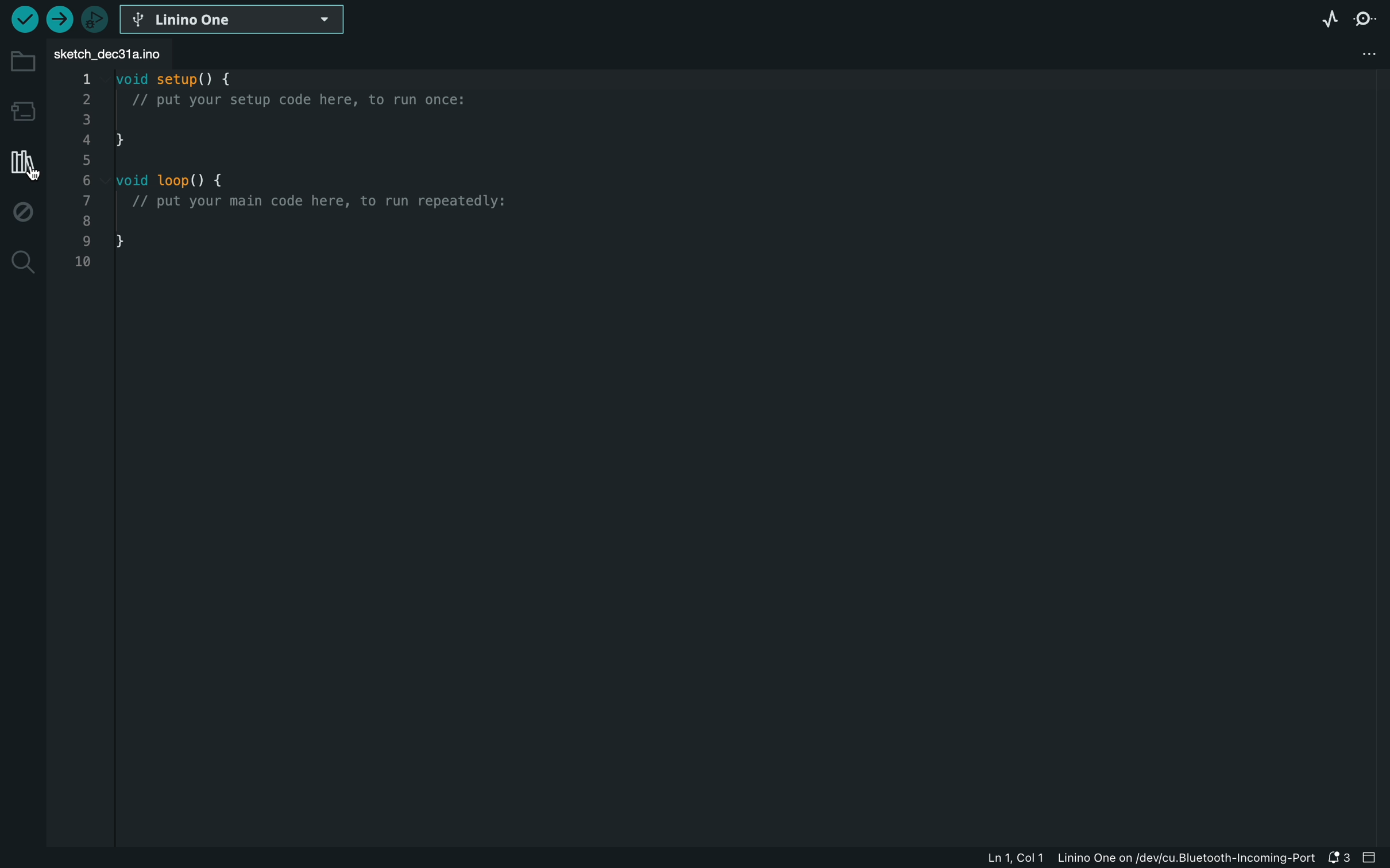  I want to click on file tab, so click(118, 53).